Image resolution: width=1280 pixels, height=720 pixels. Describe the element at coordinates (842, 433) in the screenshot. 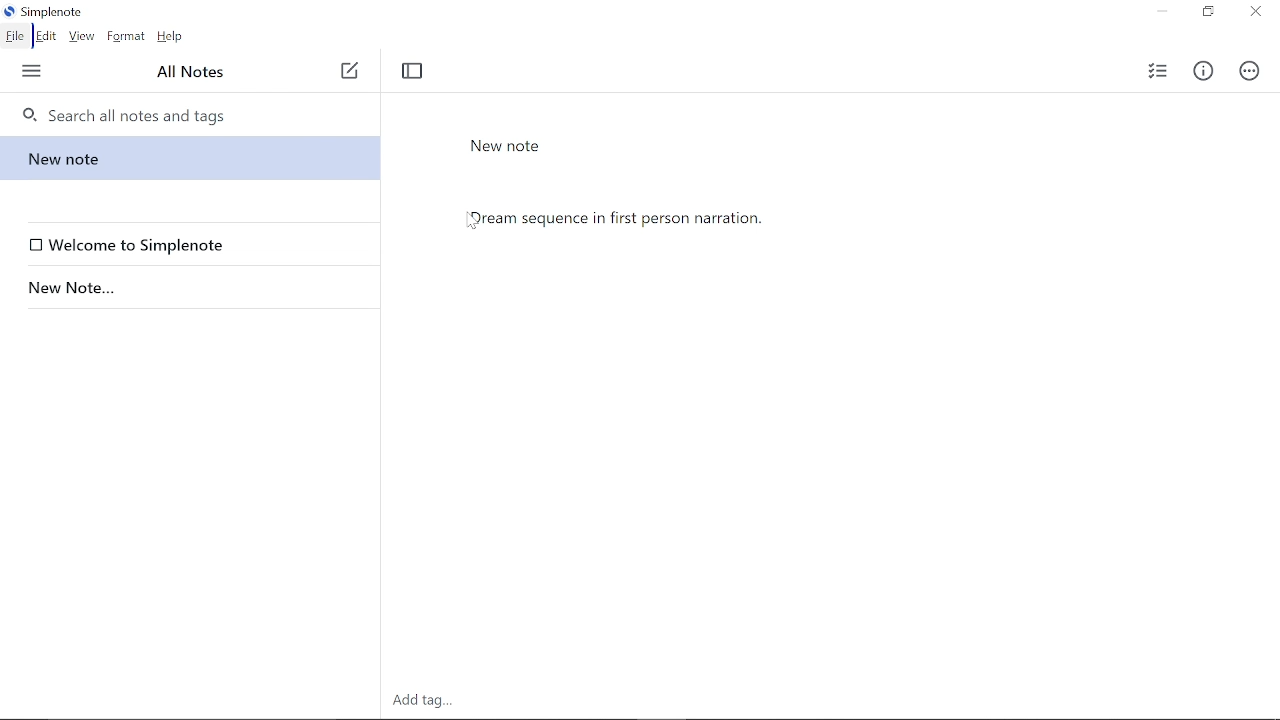

I see `Space for writing note` at that location.